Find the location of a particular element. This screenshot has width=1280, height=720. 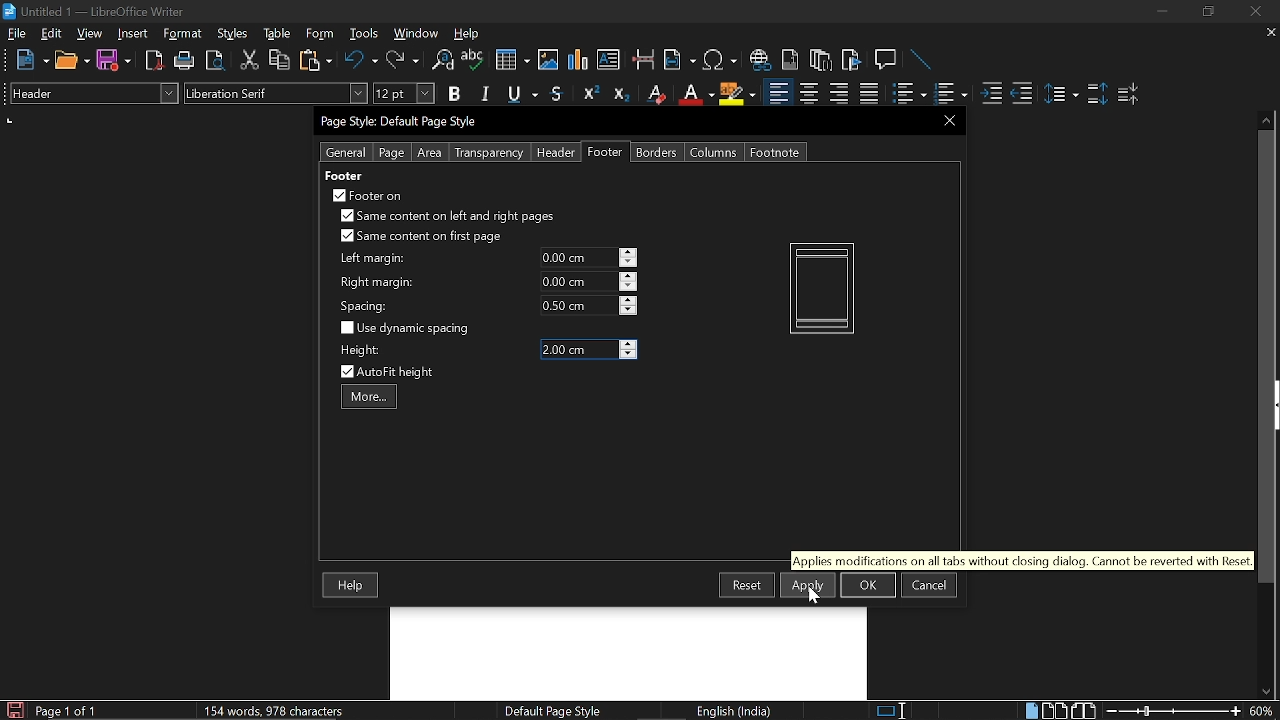

current page Current page is located at coordinates (65, 710).